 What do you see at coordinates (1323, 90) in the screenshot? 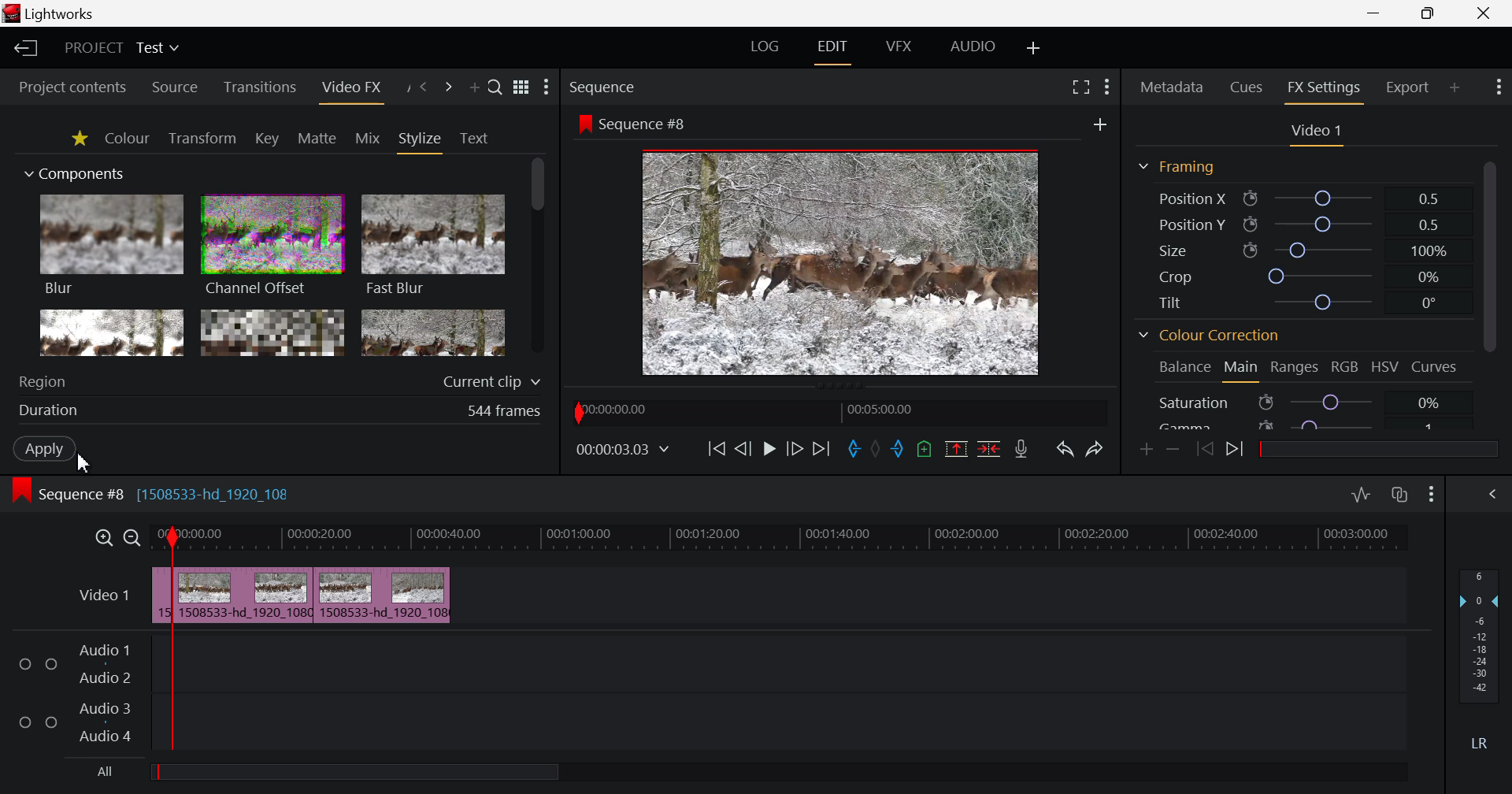
I see `FX Settings` at bounding box center [1323, 90].